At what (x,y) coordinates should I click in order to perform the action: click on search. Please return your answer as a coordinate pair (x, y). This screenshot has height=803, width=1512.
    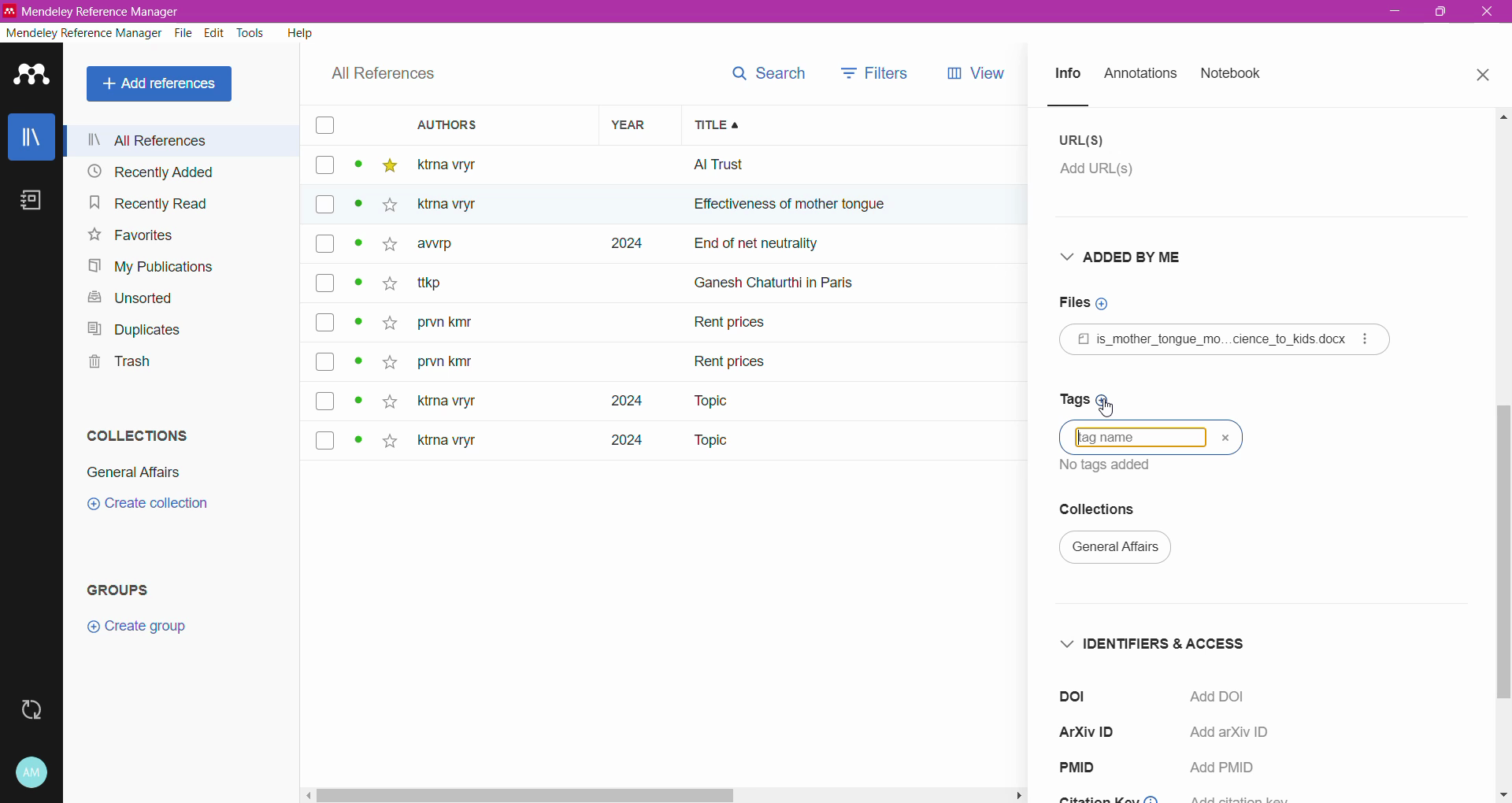
    Looking at the image, I should click on (766, 73).